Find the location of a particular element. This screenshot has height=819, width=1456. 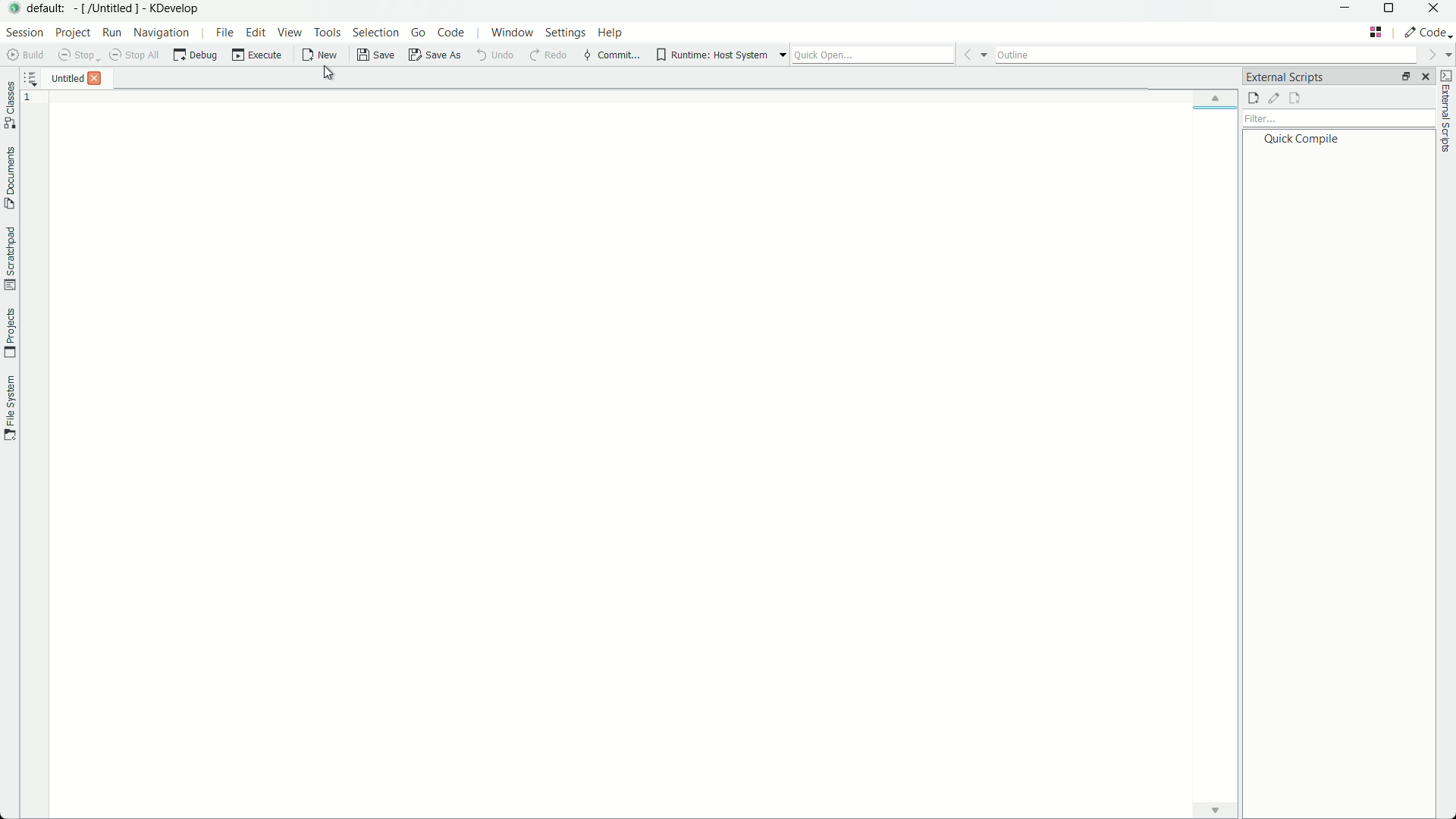

undo is located at coordinates (494, 55).